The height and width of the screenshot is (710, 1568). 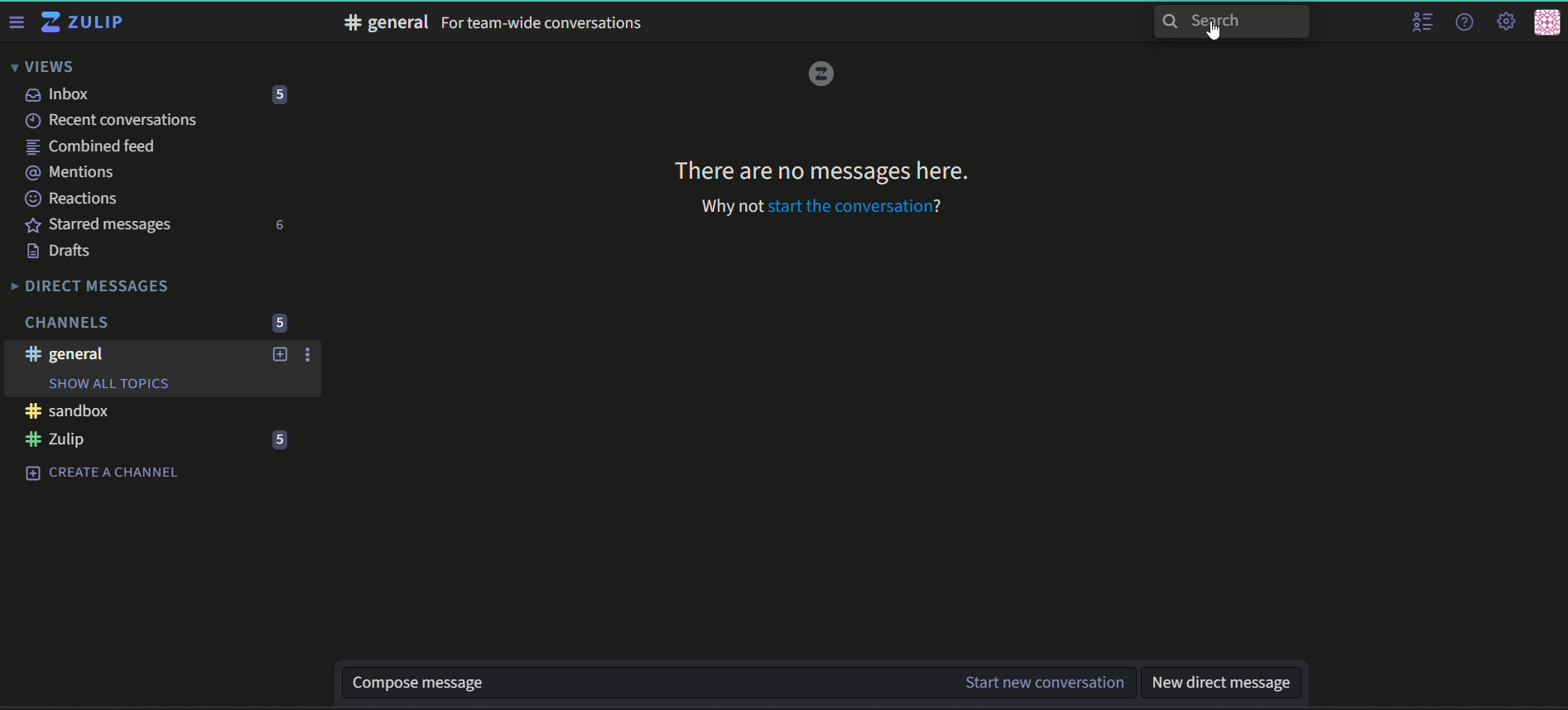 I want to click on Drafts, so click(x=62, y=250).